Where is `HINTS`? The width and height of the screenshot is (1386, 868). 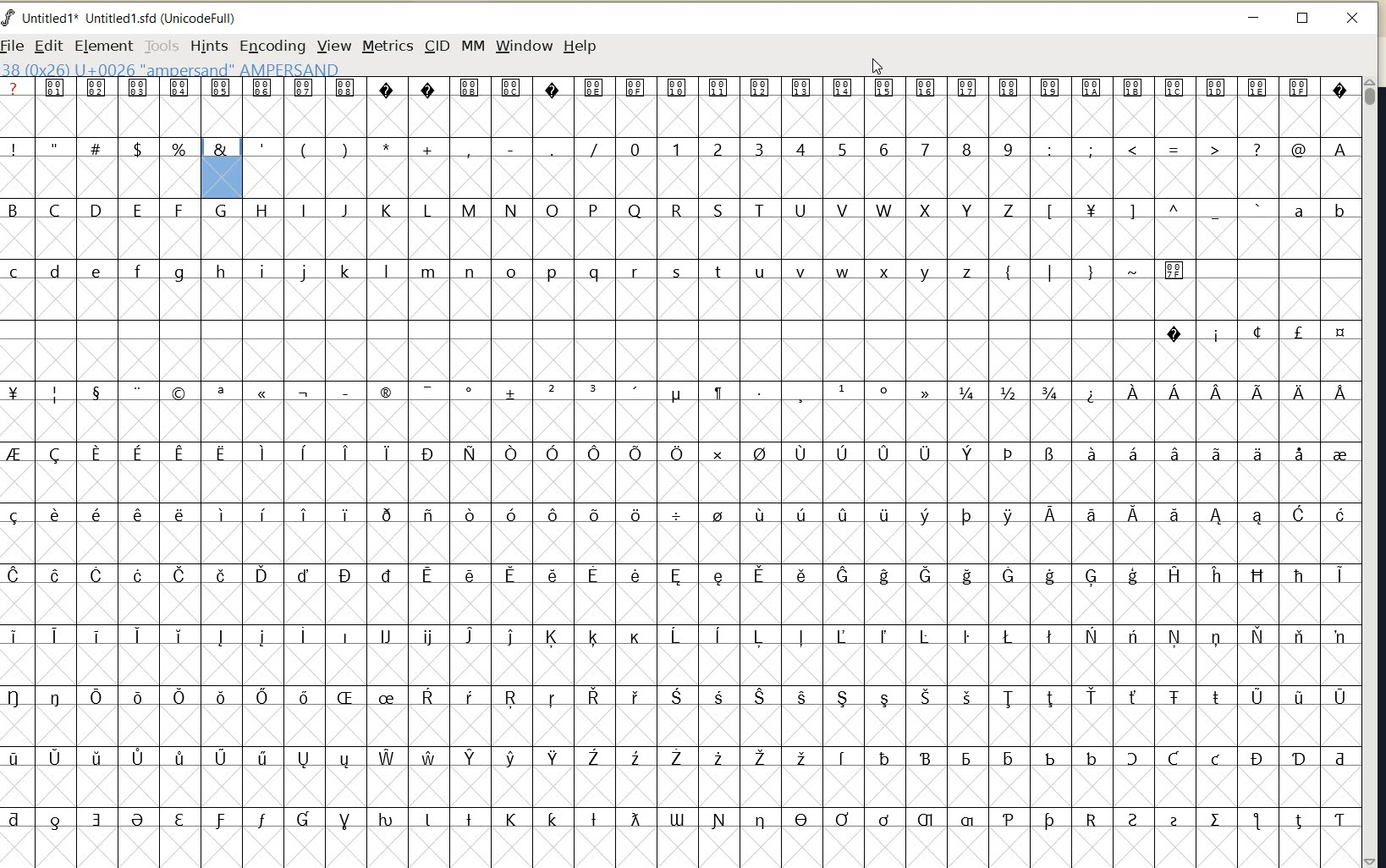 HINTS is located at coordinates (208, 47).